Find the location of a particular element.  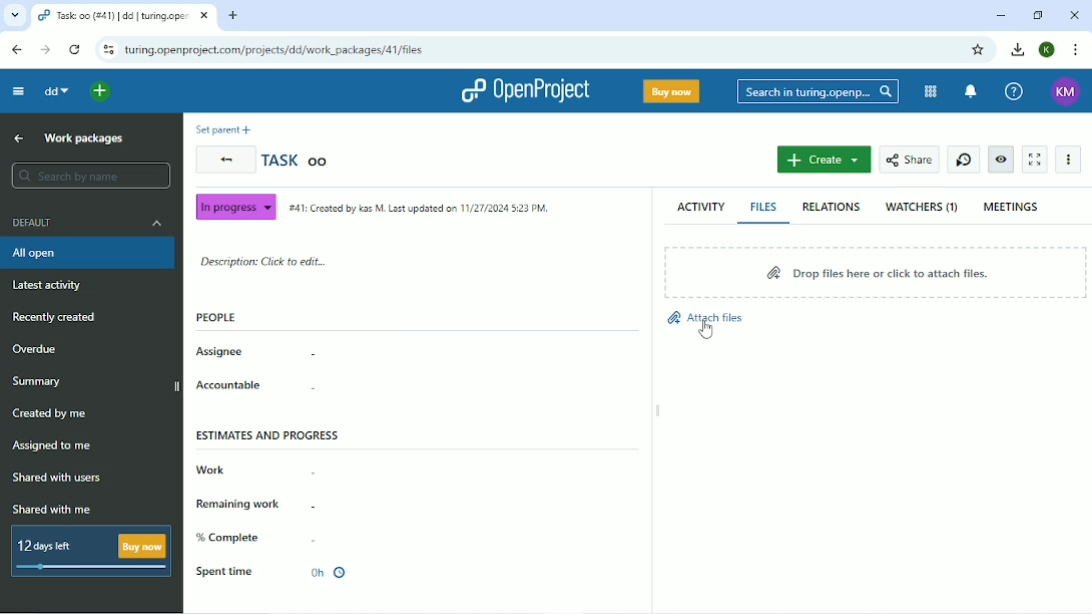

Accountable is located at coordinates (229, 384).